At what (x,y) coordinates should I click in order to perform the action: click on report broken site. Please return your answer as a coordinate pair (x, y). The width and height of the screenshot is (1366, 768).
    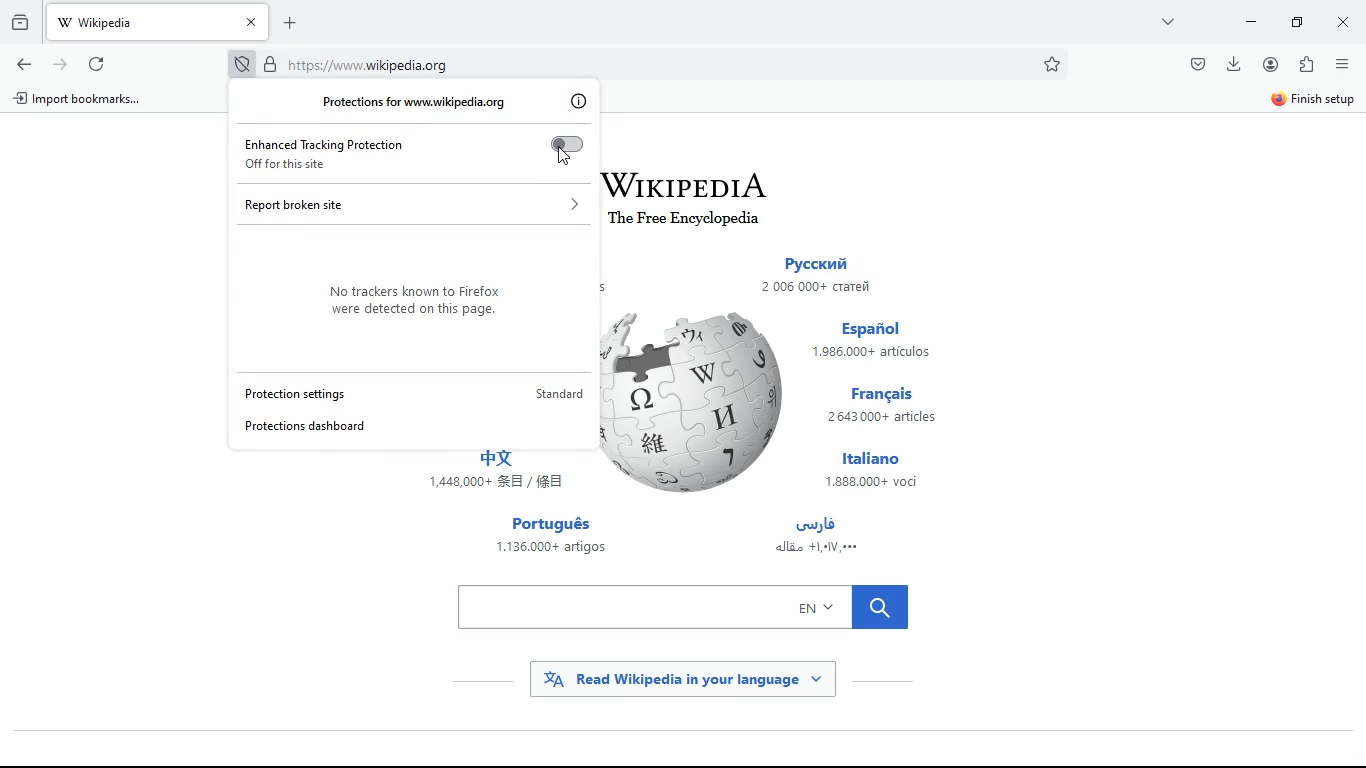
    Looking at the image, I should click on (412, 206).